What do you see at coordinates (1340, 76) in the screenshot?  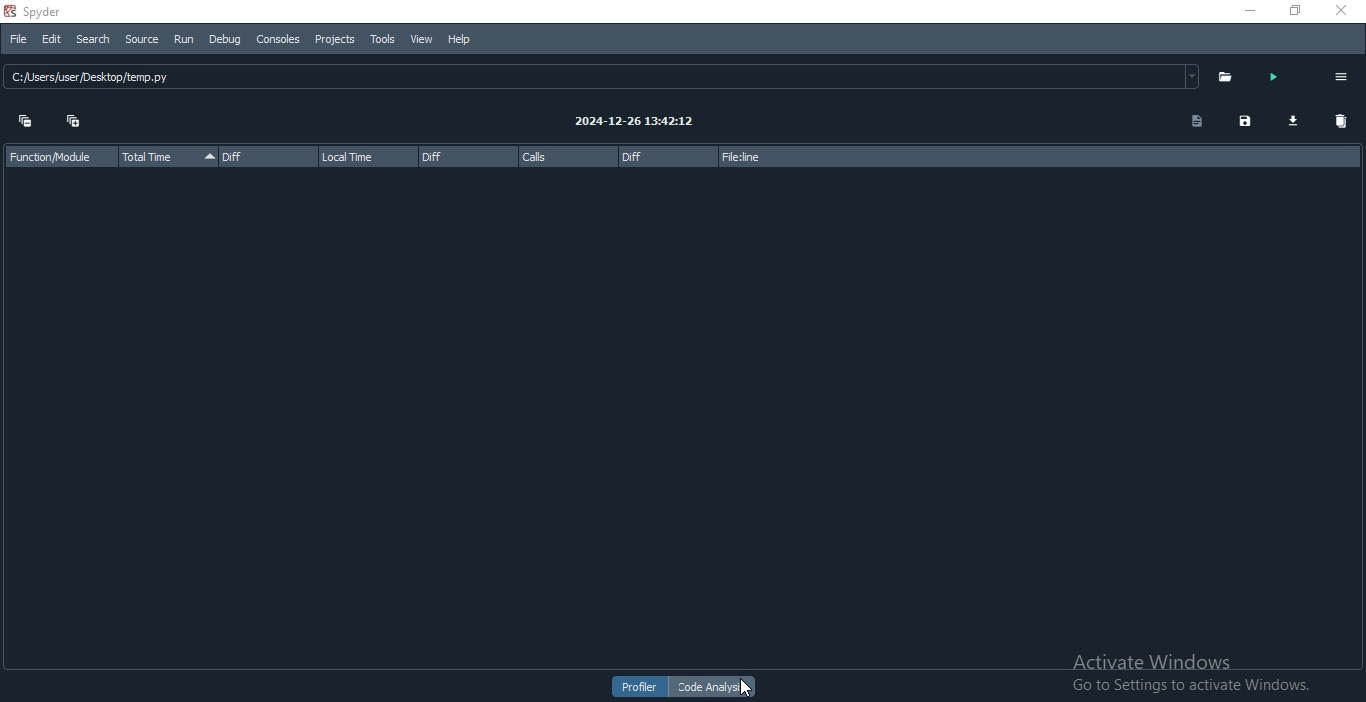 I see `options` at bounding box center [1340, 76].